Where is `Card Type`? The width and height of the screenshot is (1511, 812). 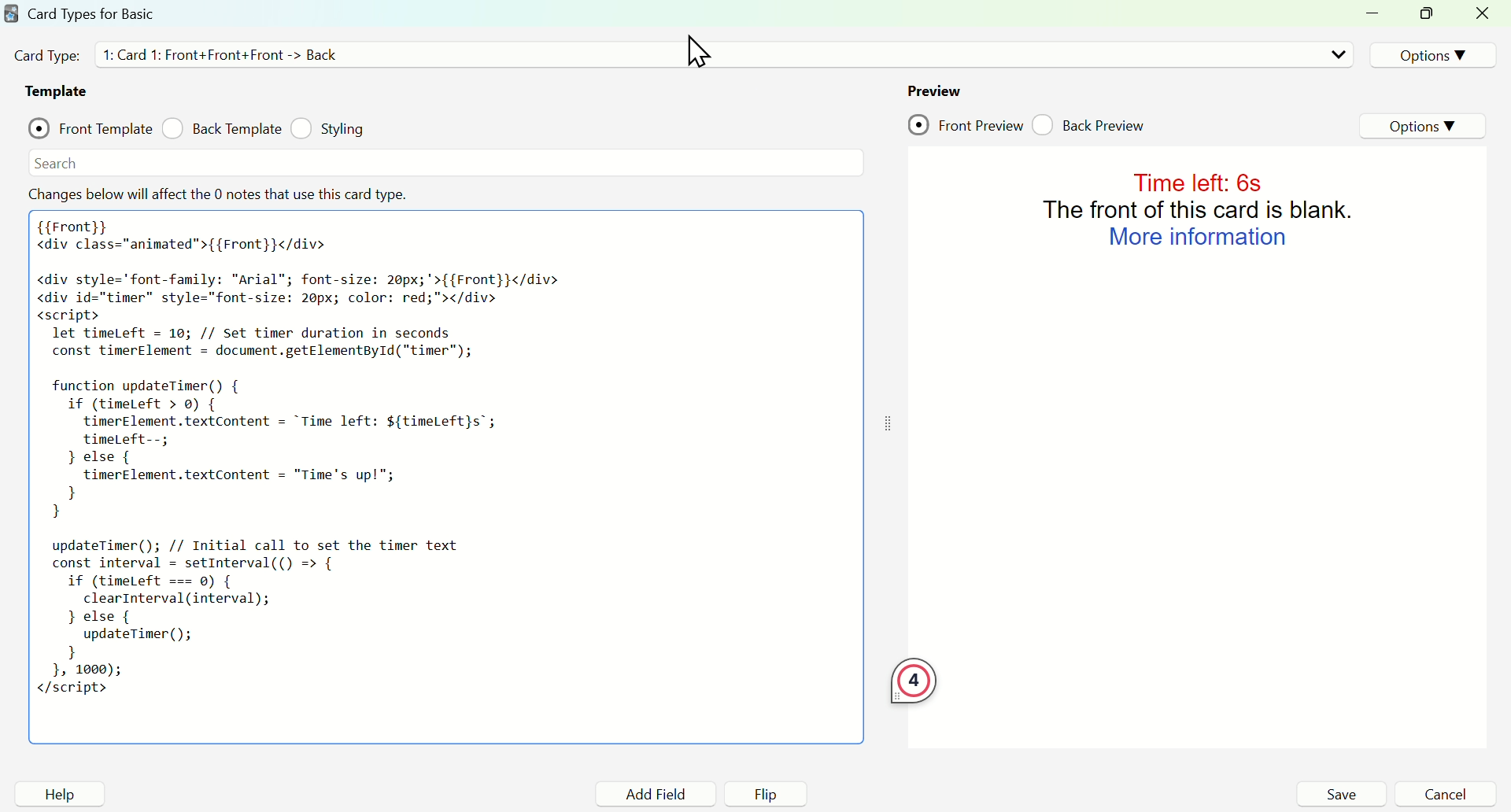
Card Type is located at coordinates (46, 55).